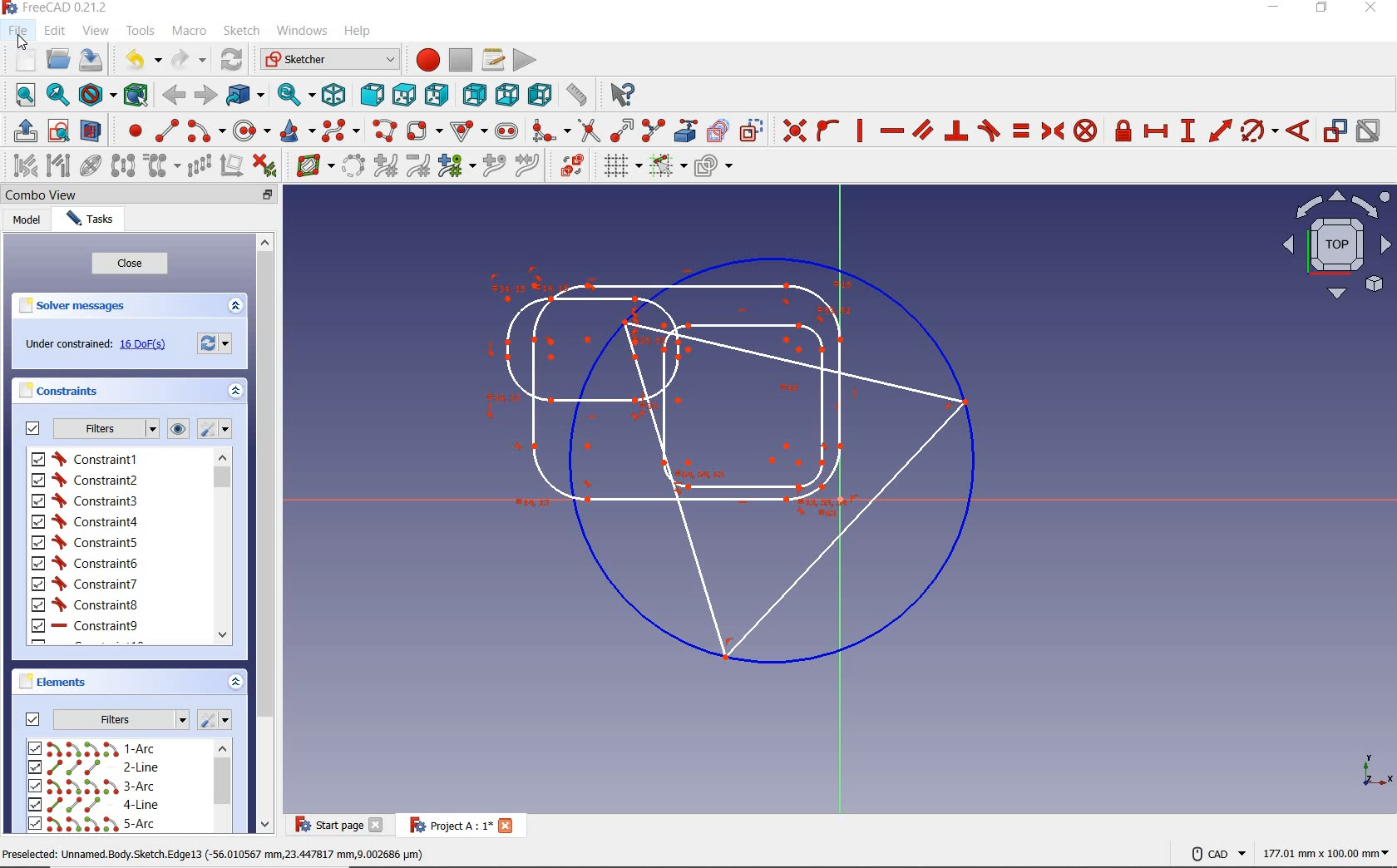  What do you see at coordinates (129, 263) in the screenshot?
I see `close` at bounding box center [129, 263].